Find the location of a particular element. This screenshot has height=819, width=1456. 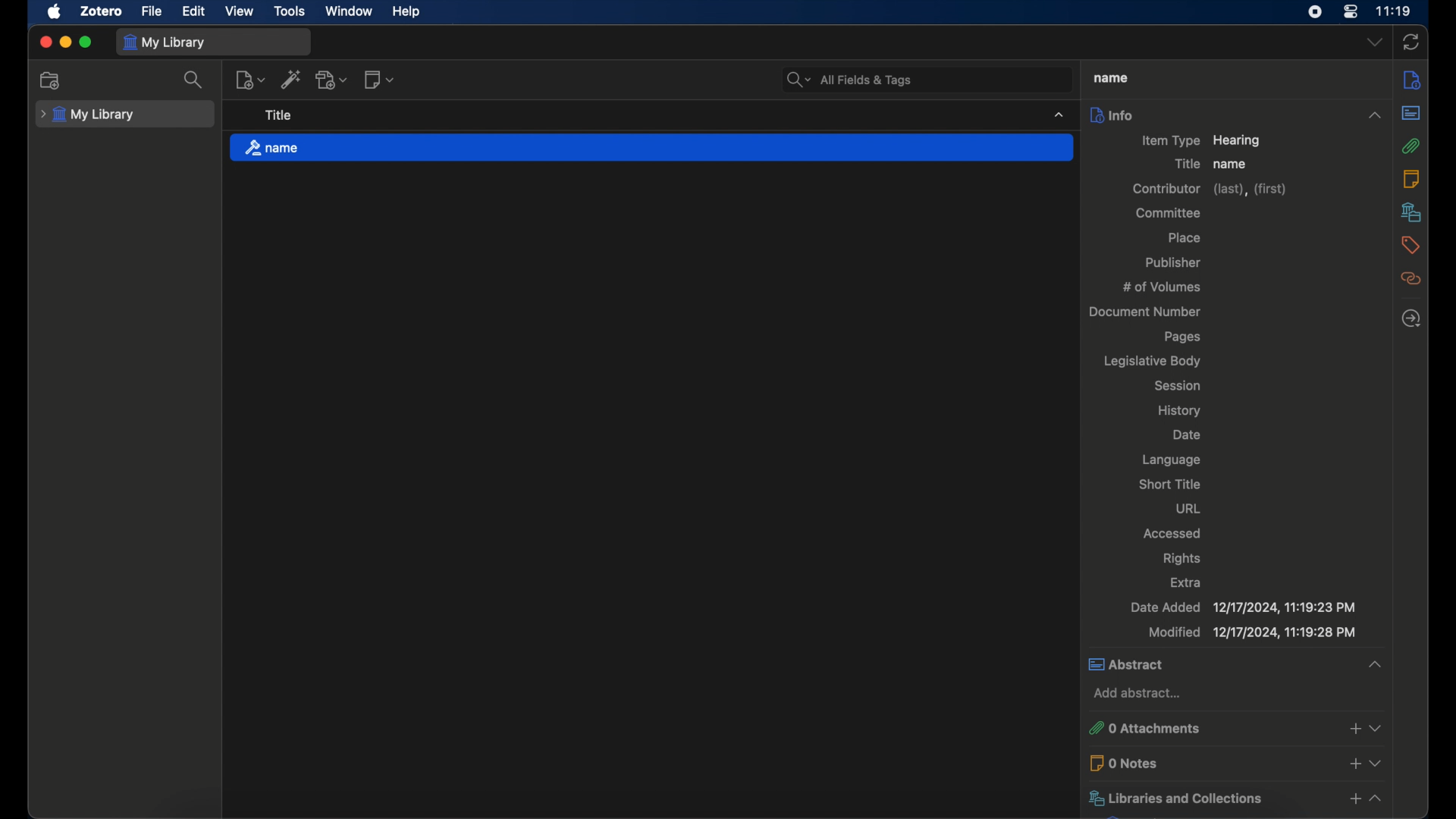

maximize is located at coordinates (86, 42).